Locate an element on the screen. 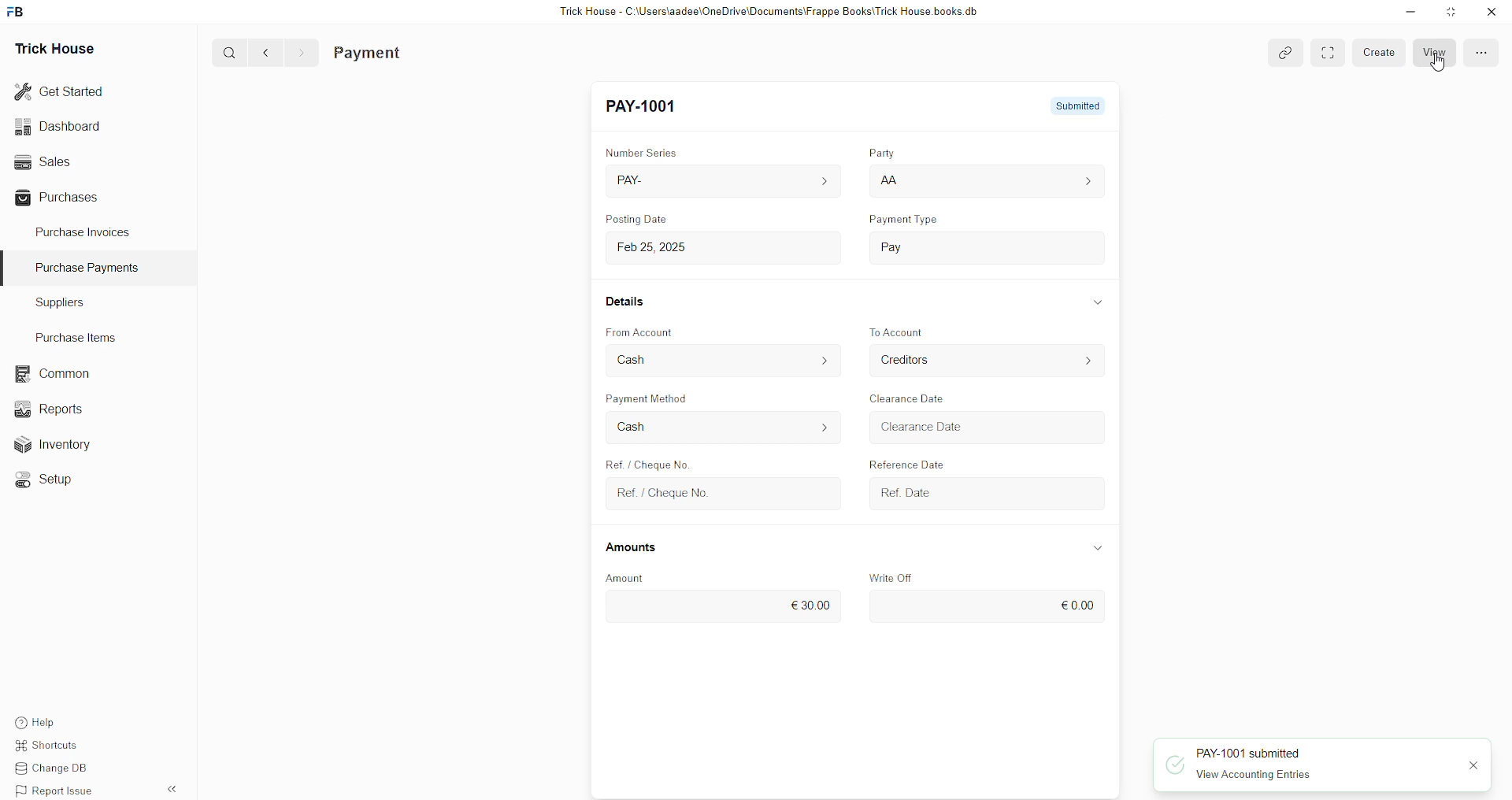  Purchase Items is located at coordinates (80, 335).